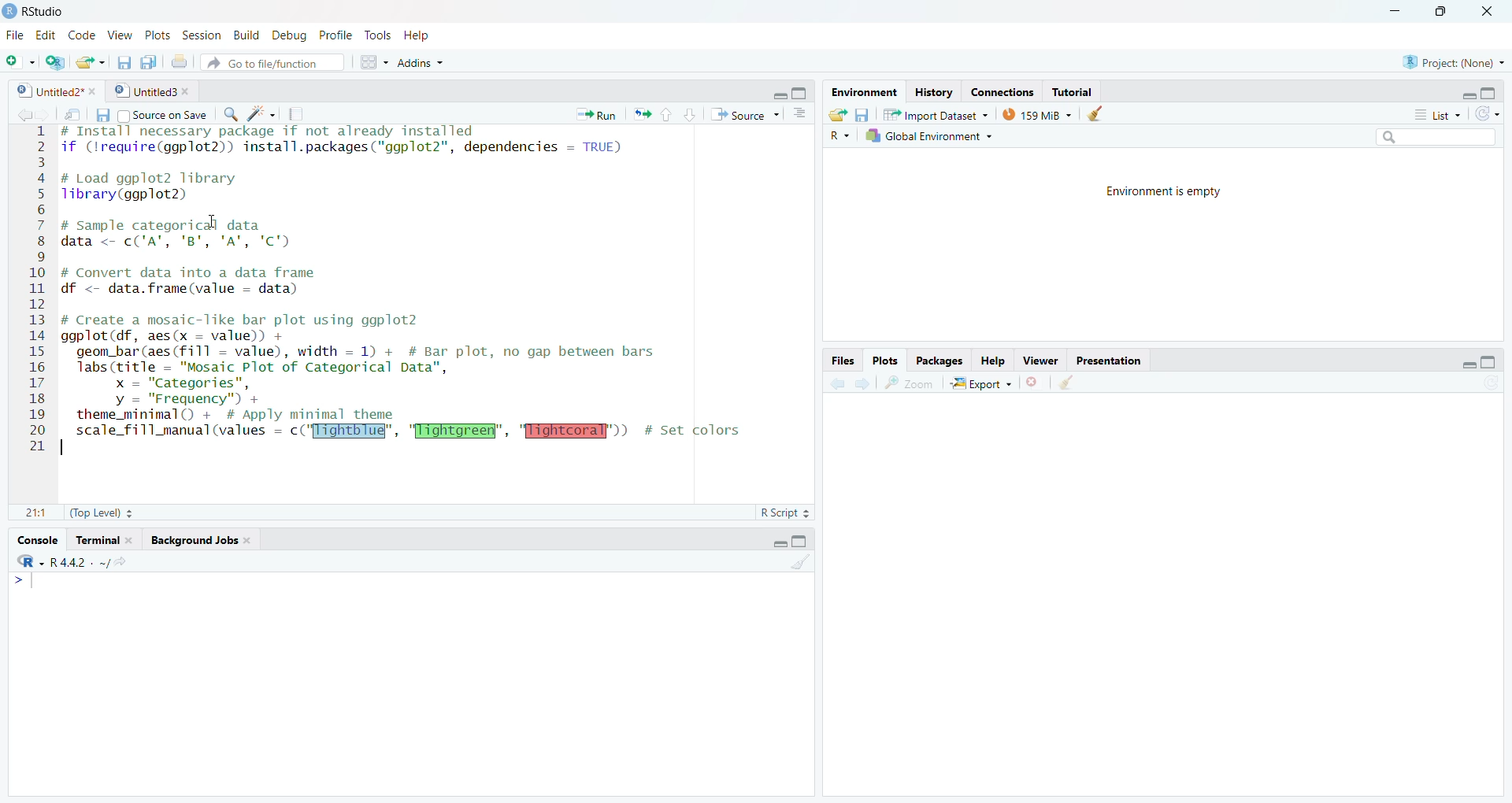 This screenshot has height=803, width=1512. What do you see at coordinates (212, 221) in the screenshot?
I see `Cursor` at bounding box center [212, 221].